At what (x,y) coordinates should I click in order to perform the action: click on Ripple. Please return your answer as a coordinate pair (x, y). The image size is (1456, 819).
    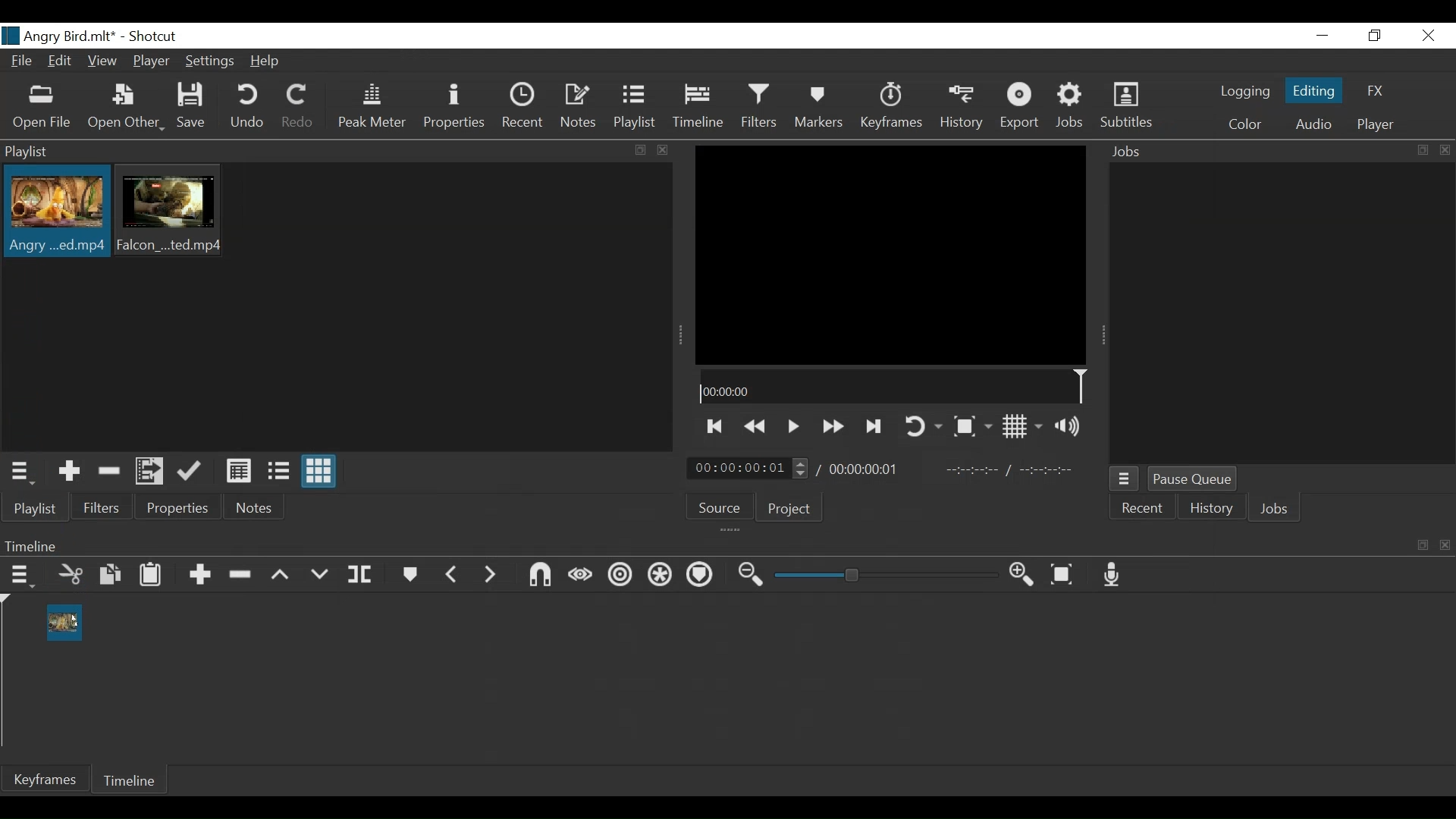
    Looking at the image, I should click on (622, 576).